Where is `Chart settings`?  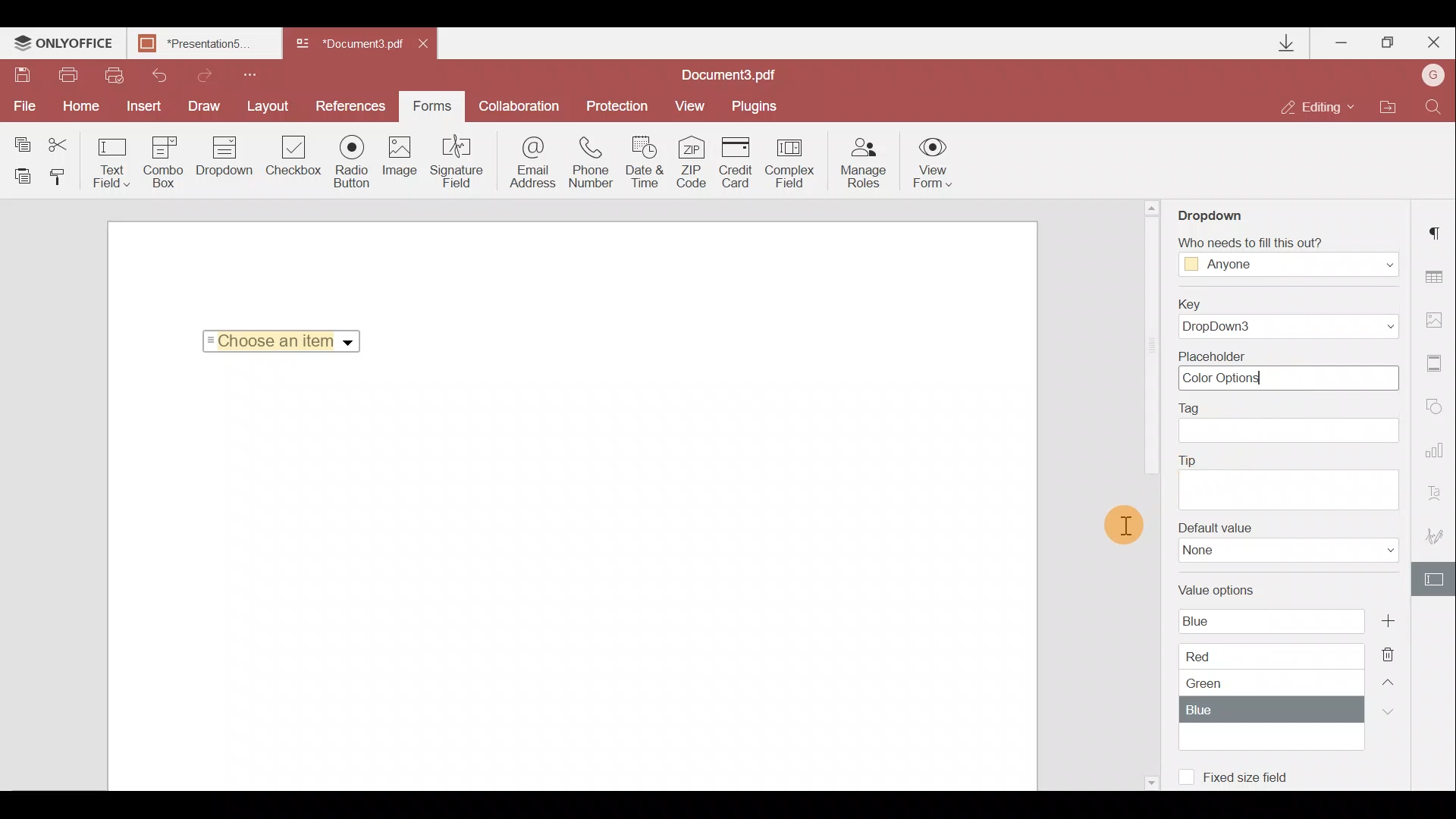
Chart settings is located at coordinates (1438, 450).